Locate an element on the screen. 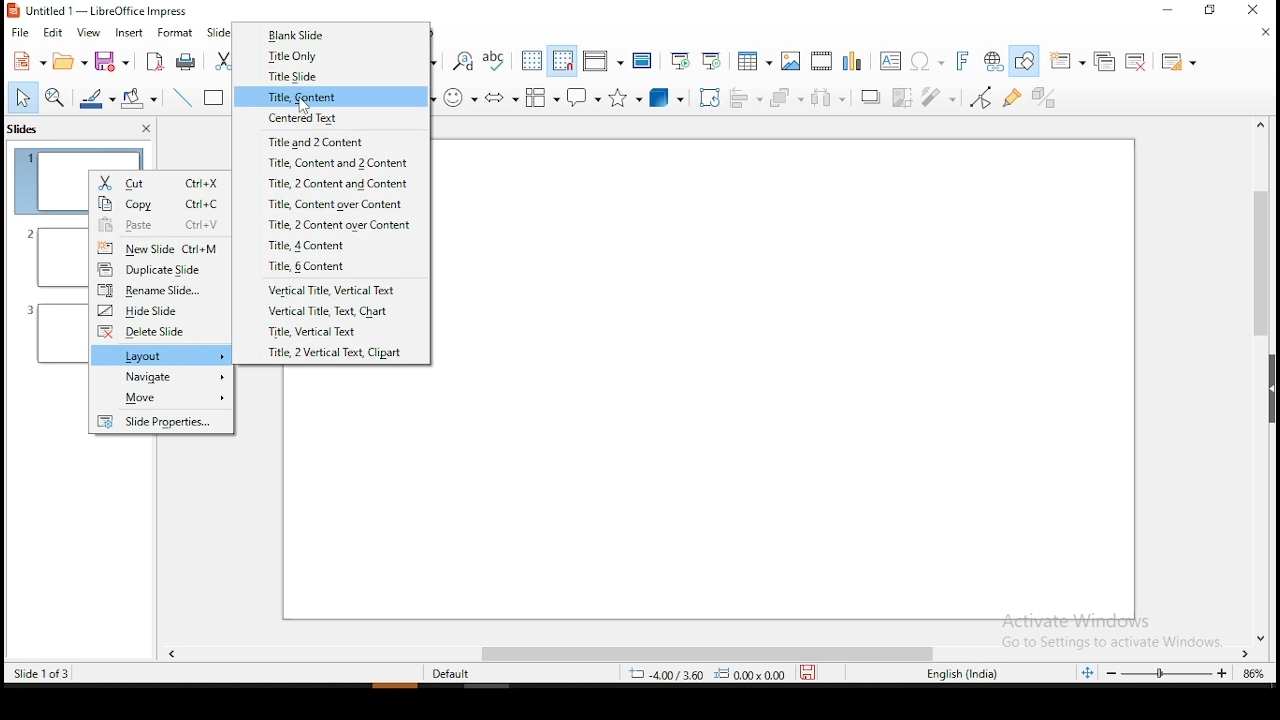 The height and width of the screenshot is (720, 1280). crop image is located at coordinates (904, 97).